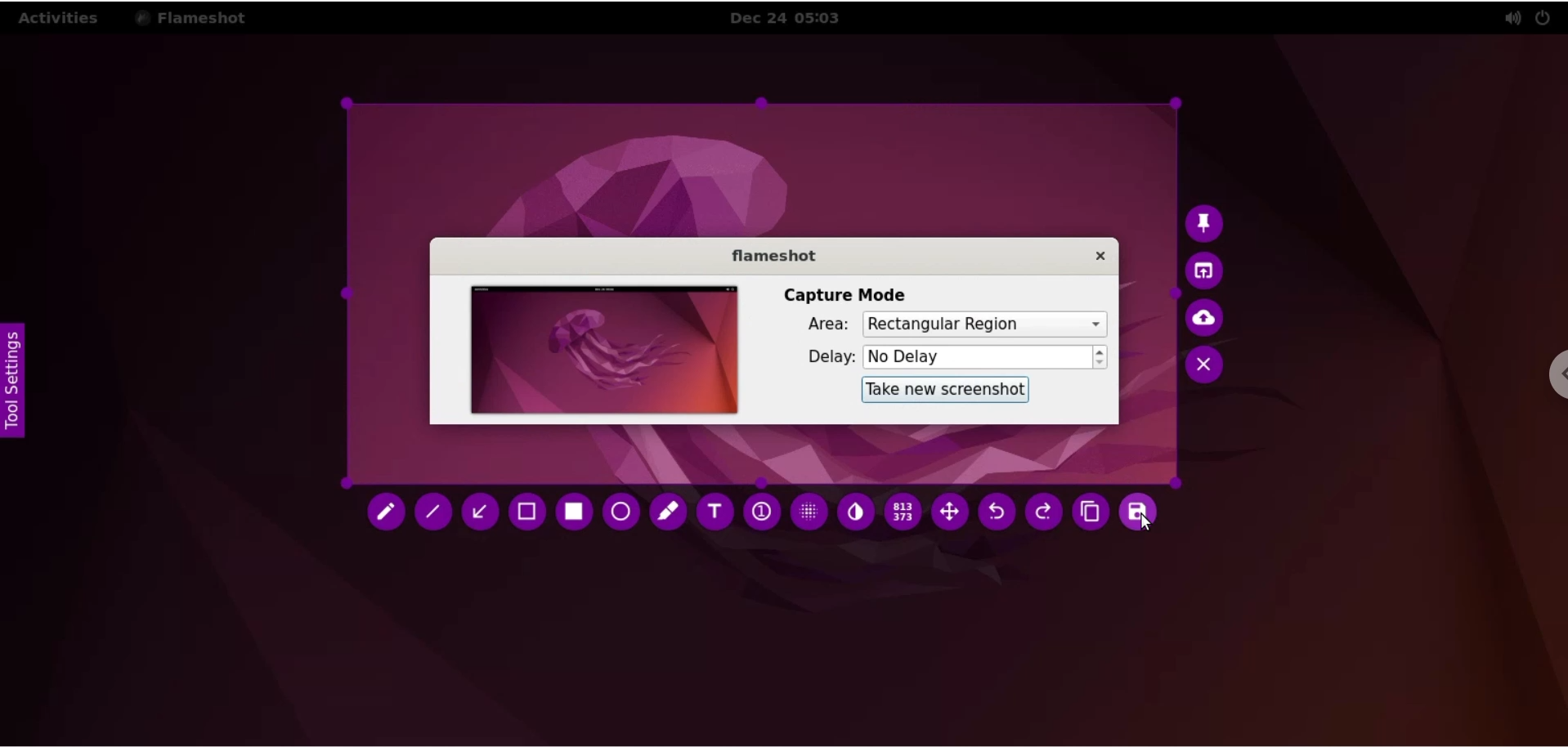 Image resolution: width=1568 pixels, height=747 pixels. I want to click on circle, so click(622, 512).